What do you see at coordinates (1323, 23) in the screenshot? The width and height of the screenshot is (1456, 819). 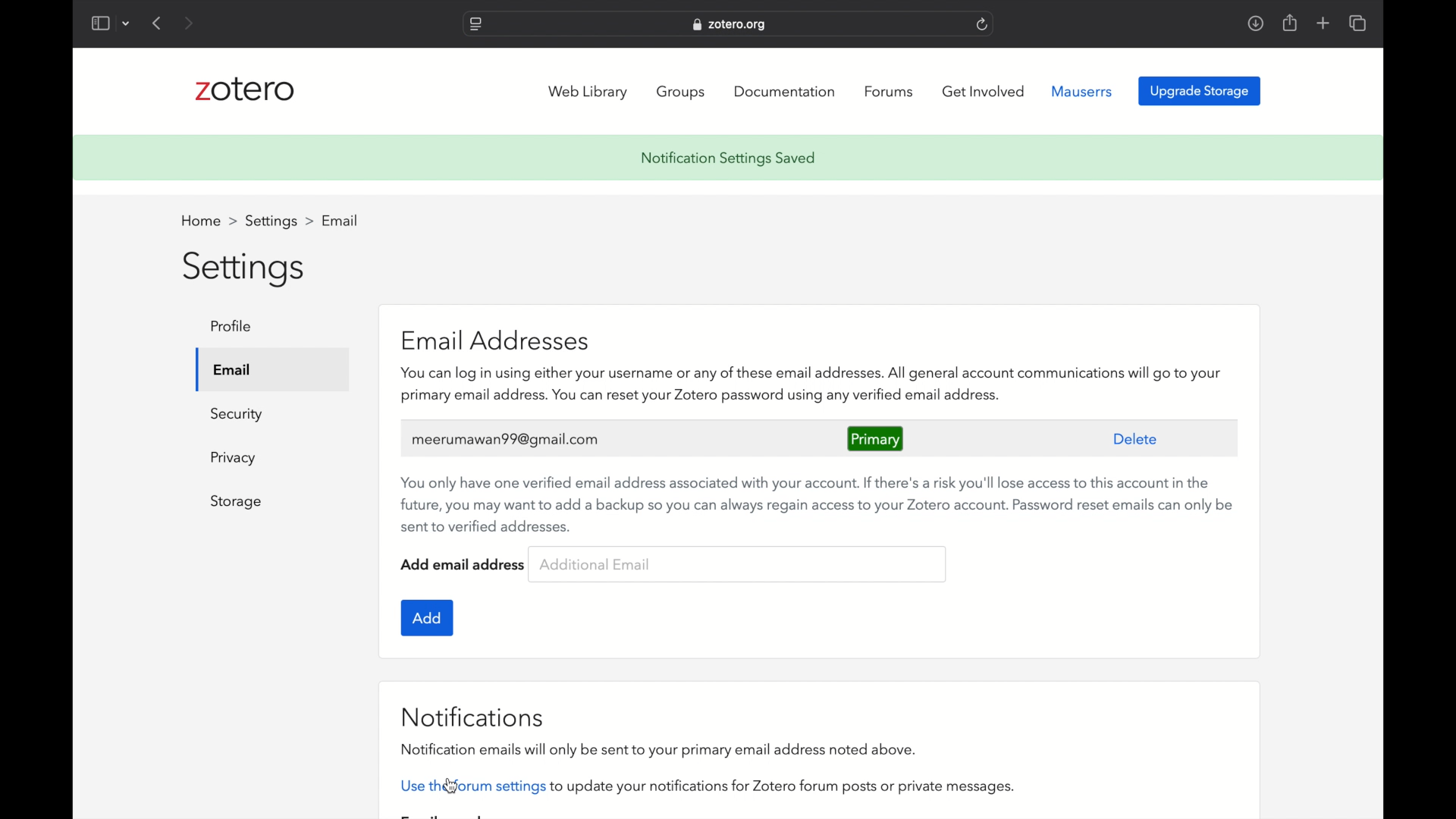 I see `new tab` at bounding box center [1323, 23].